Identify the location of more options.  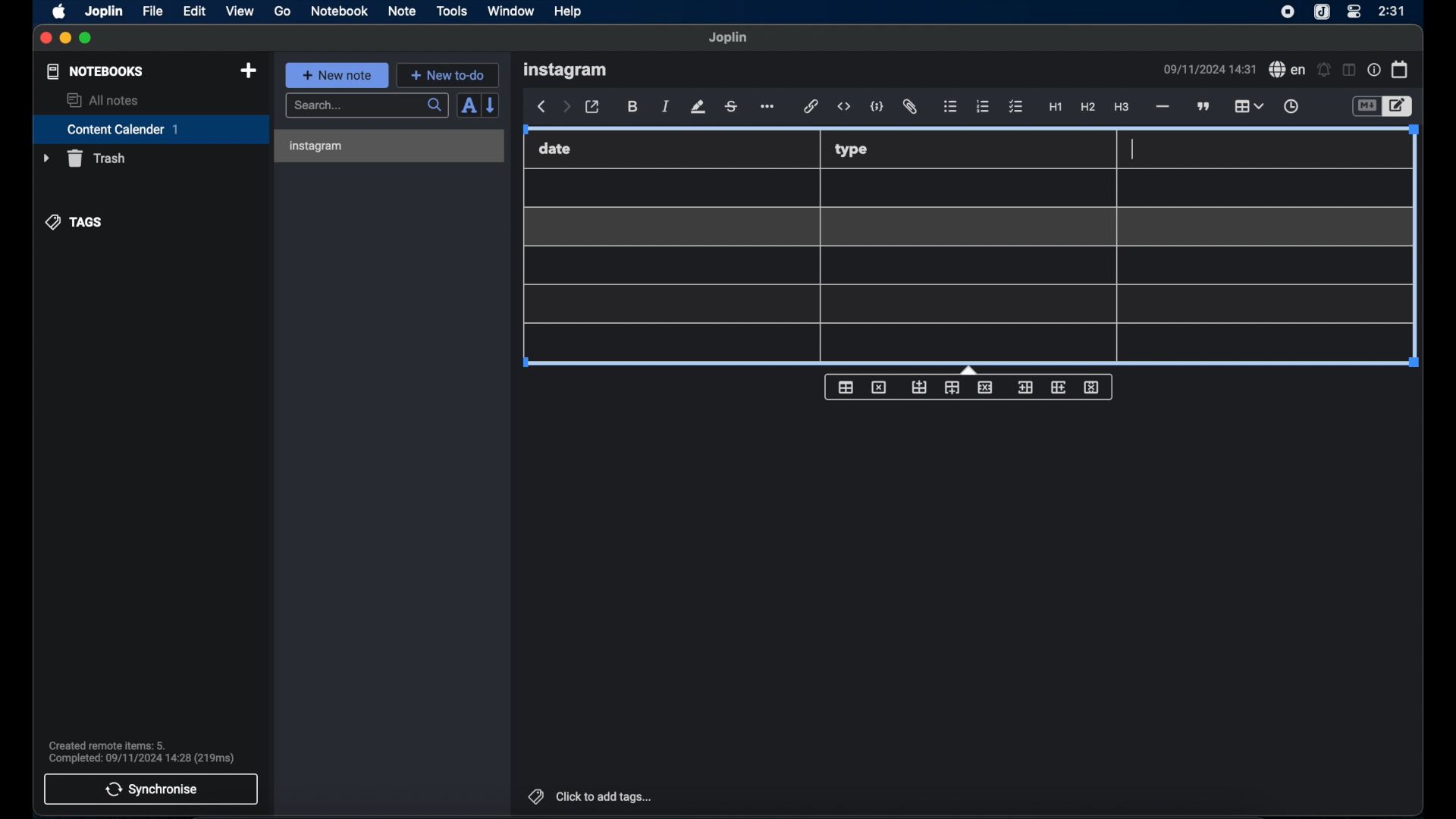
(766, 106).